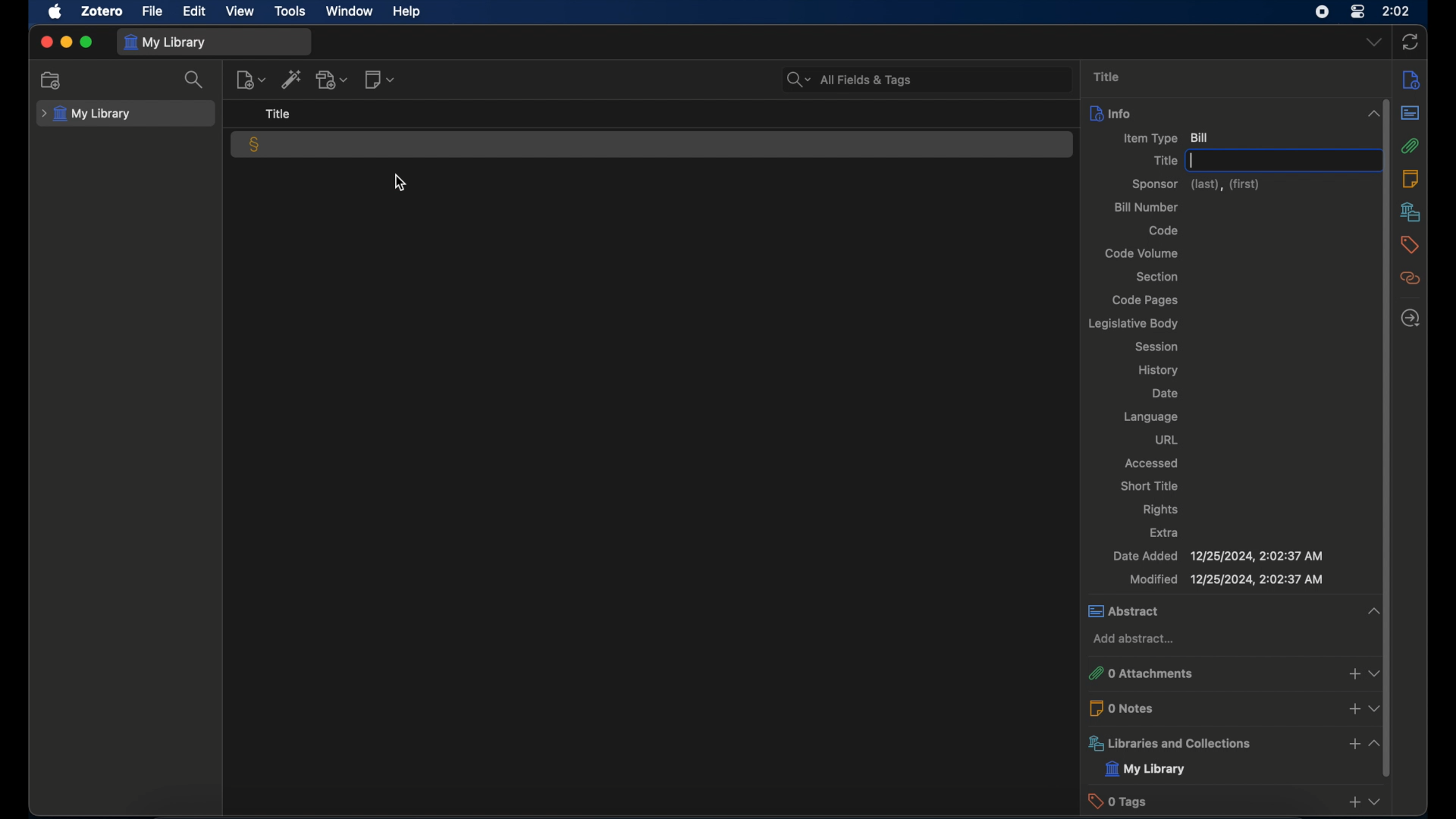  Describe the element at coordinates (194, 79) in the screenshot. I see `search` at that location.